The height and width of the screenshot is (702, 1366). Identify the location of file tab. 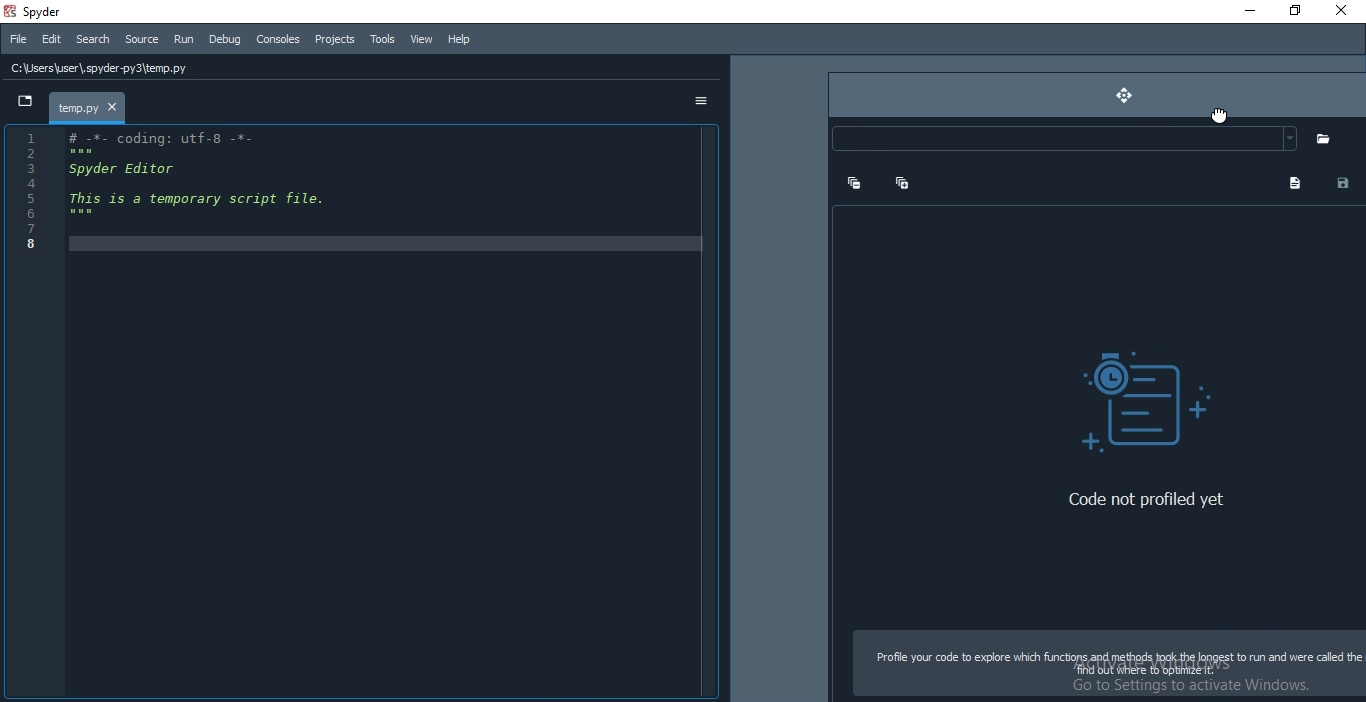
(97, 107).